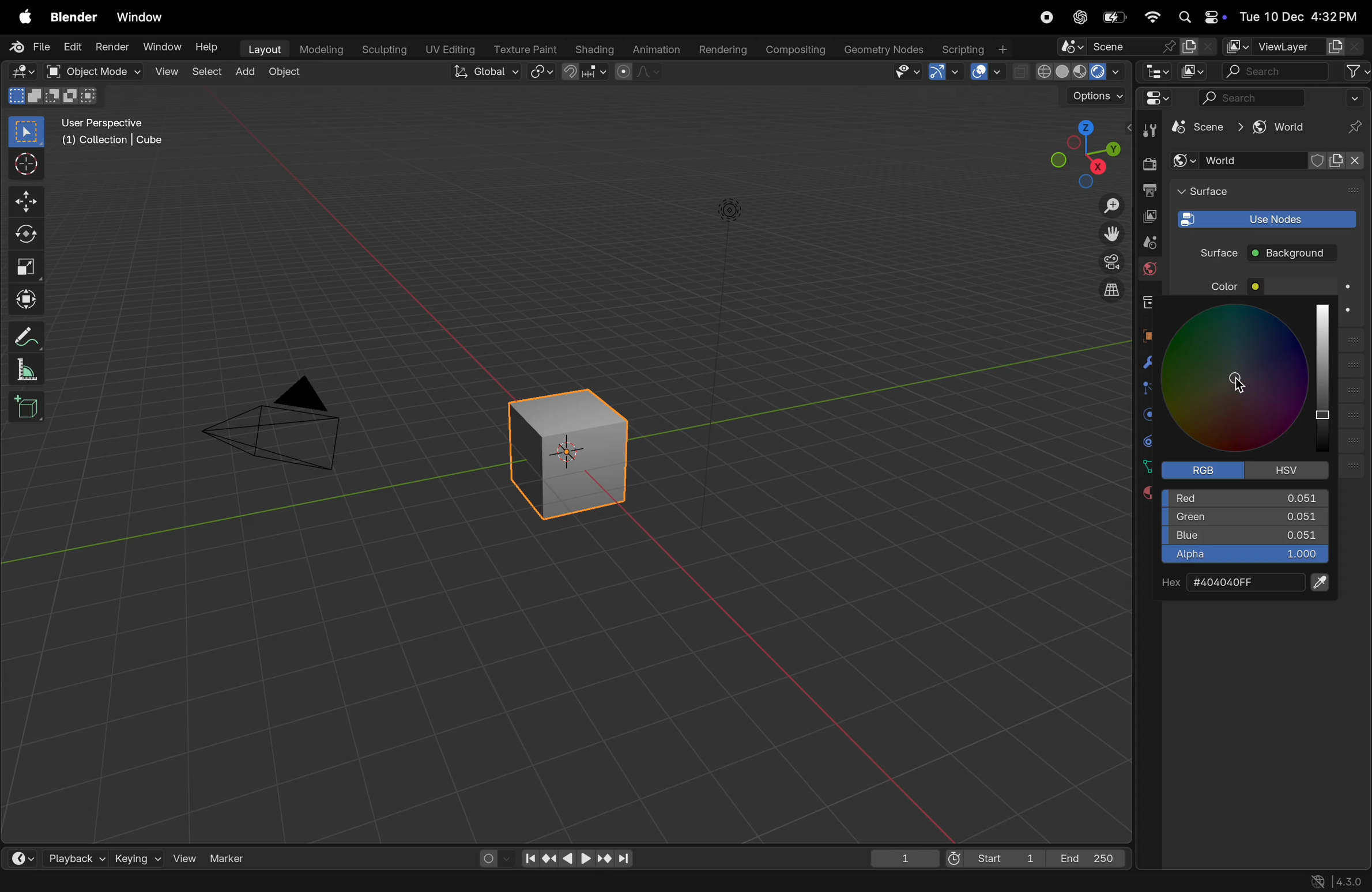 This screenshot has height=892, width=1372. I want to click on End 250, so click(1088, 857).